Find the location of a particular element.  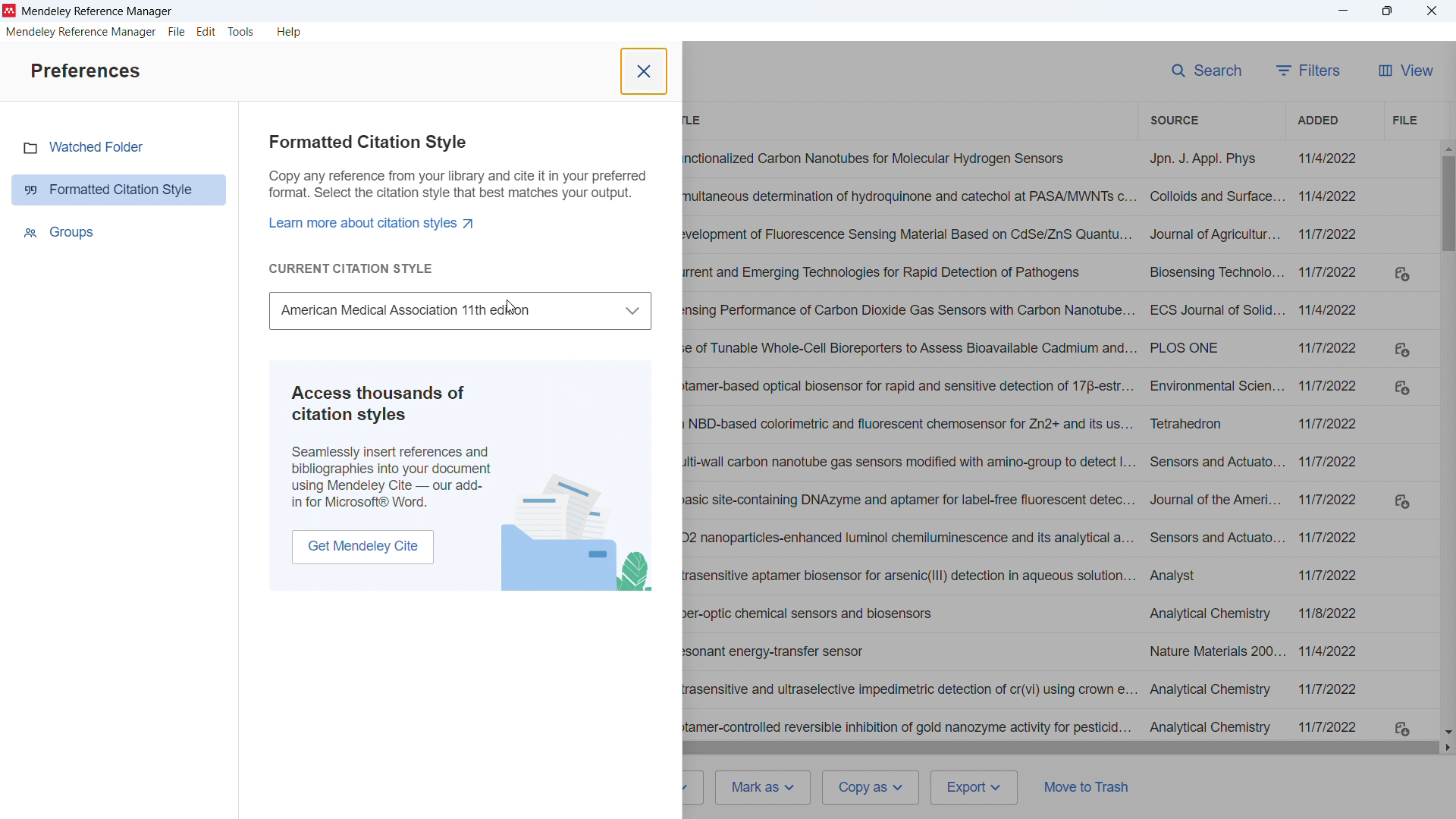

Formatted citation style  is located at coordinates (459, 170).